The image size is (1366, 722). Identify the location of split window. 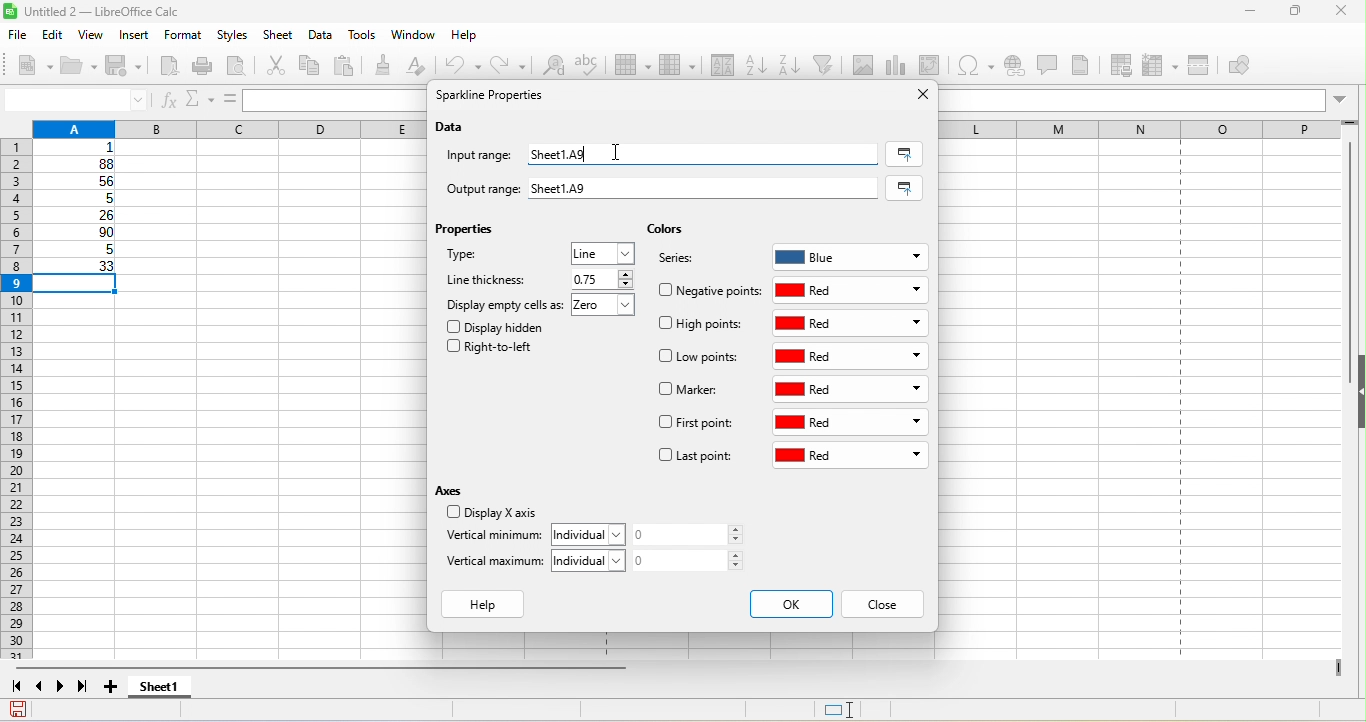
(1207, 66).